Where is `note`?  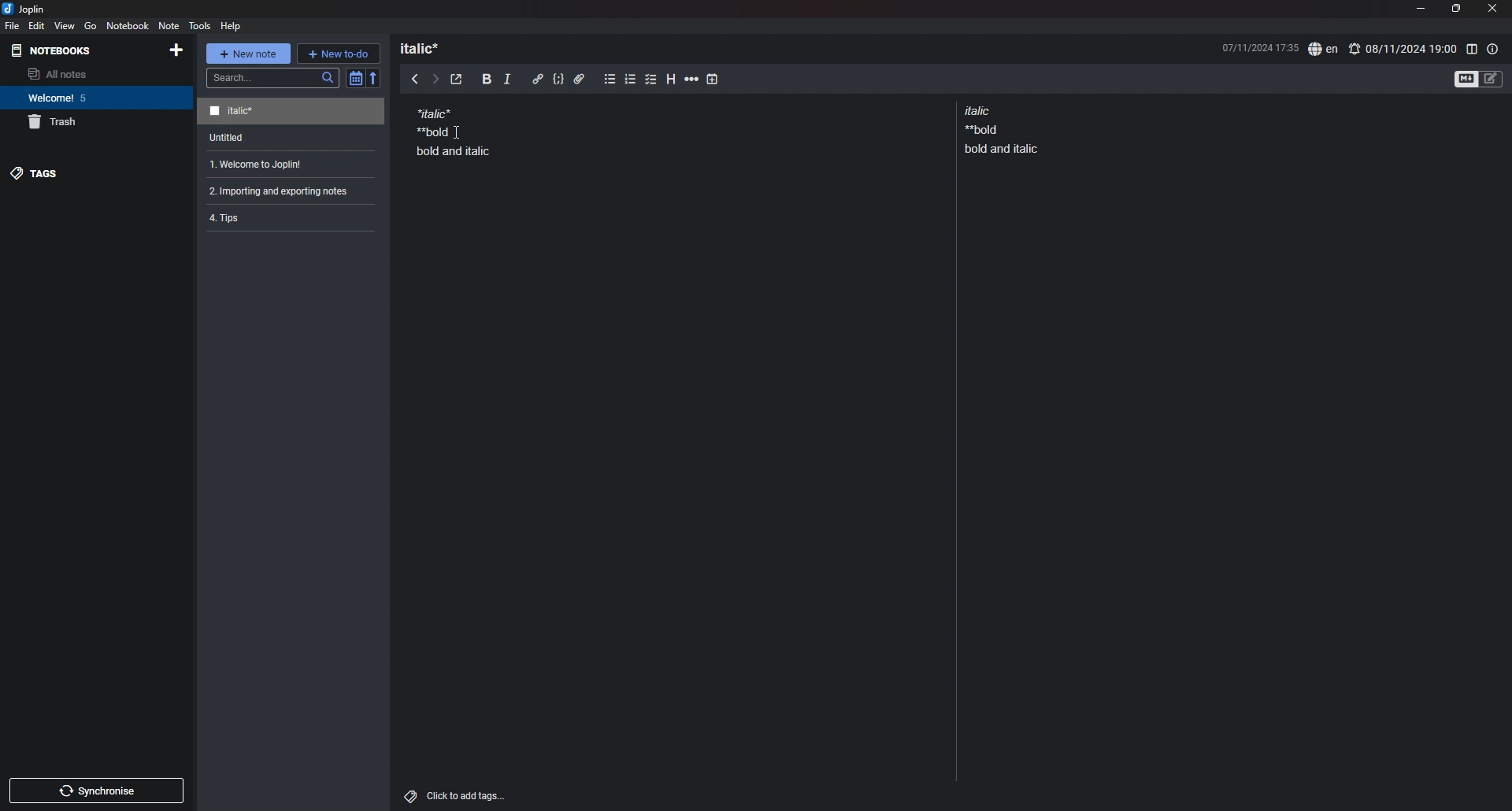 note is located at coordinates (1005, 129).